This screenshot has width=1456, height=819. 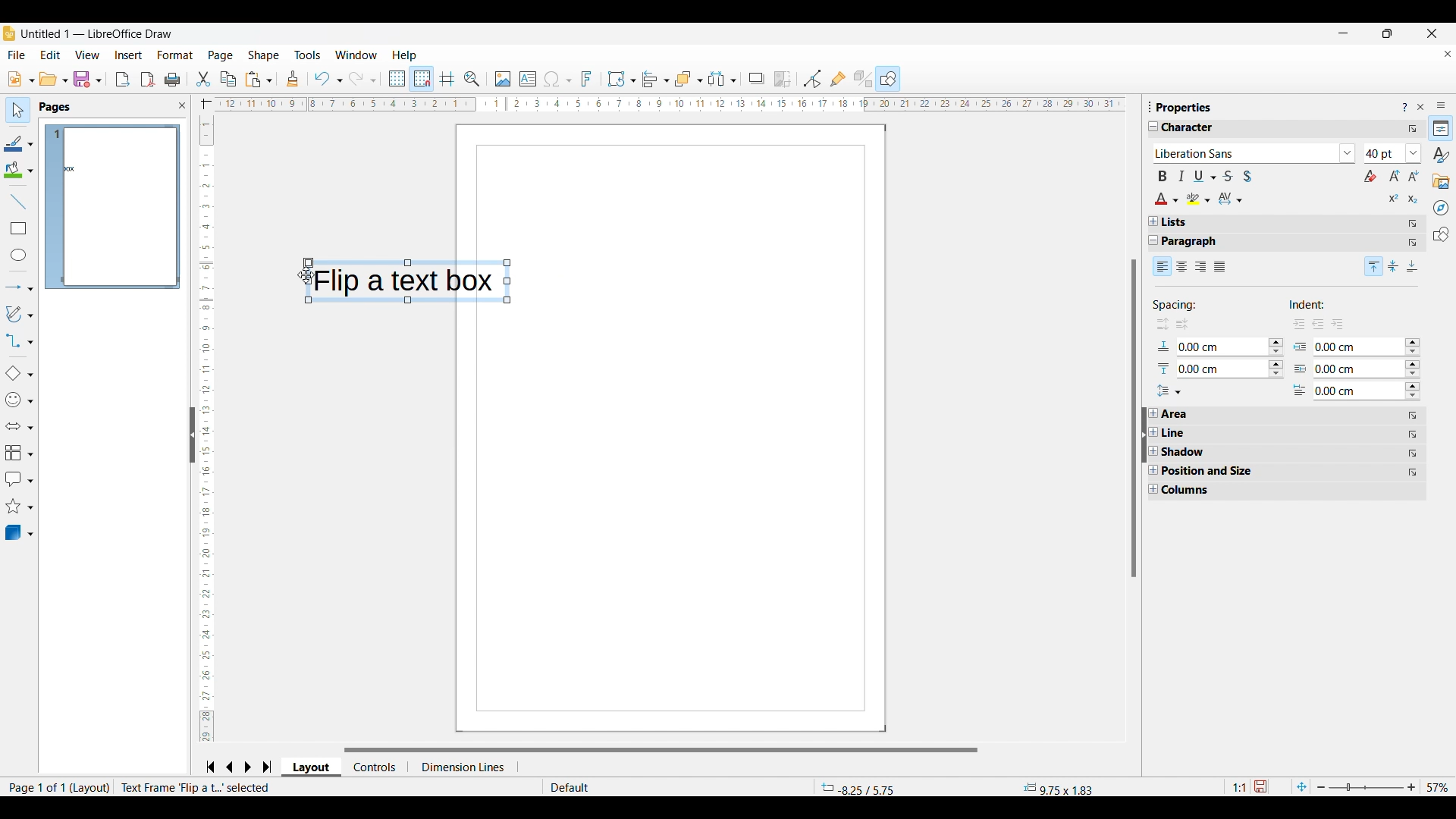 What do you see at coordinates (268, 767) in the screenshot?
I see `Jump to last slide` at bounding box center [268, 767].